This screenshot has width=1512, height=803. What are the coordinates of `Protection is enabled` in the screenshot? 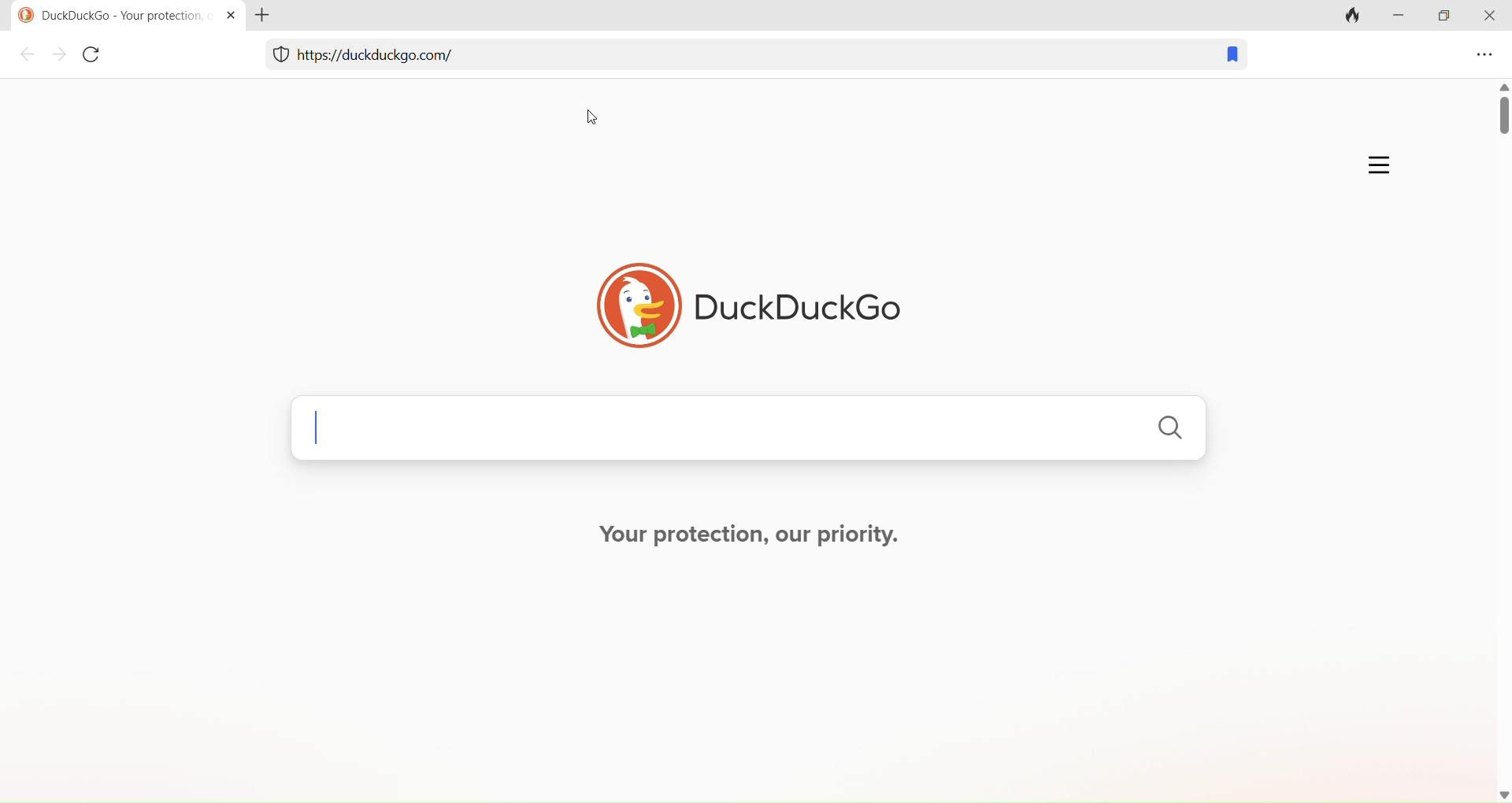 It's located at (276, 57).